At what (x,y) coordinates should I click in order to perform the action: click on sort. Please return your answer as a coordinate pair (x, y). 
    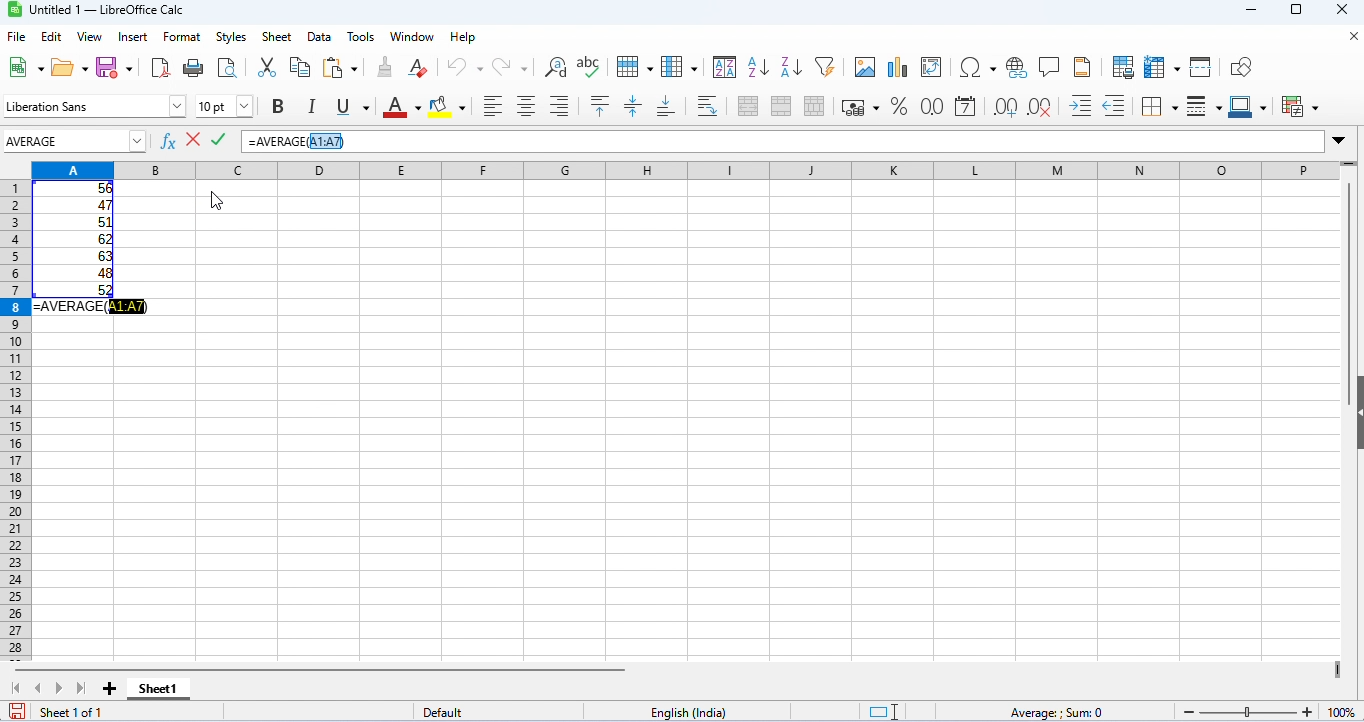
    Looking at the image, I should click on (725, 66).